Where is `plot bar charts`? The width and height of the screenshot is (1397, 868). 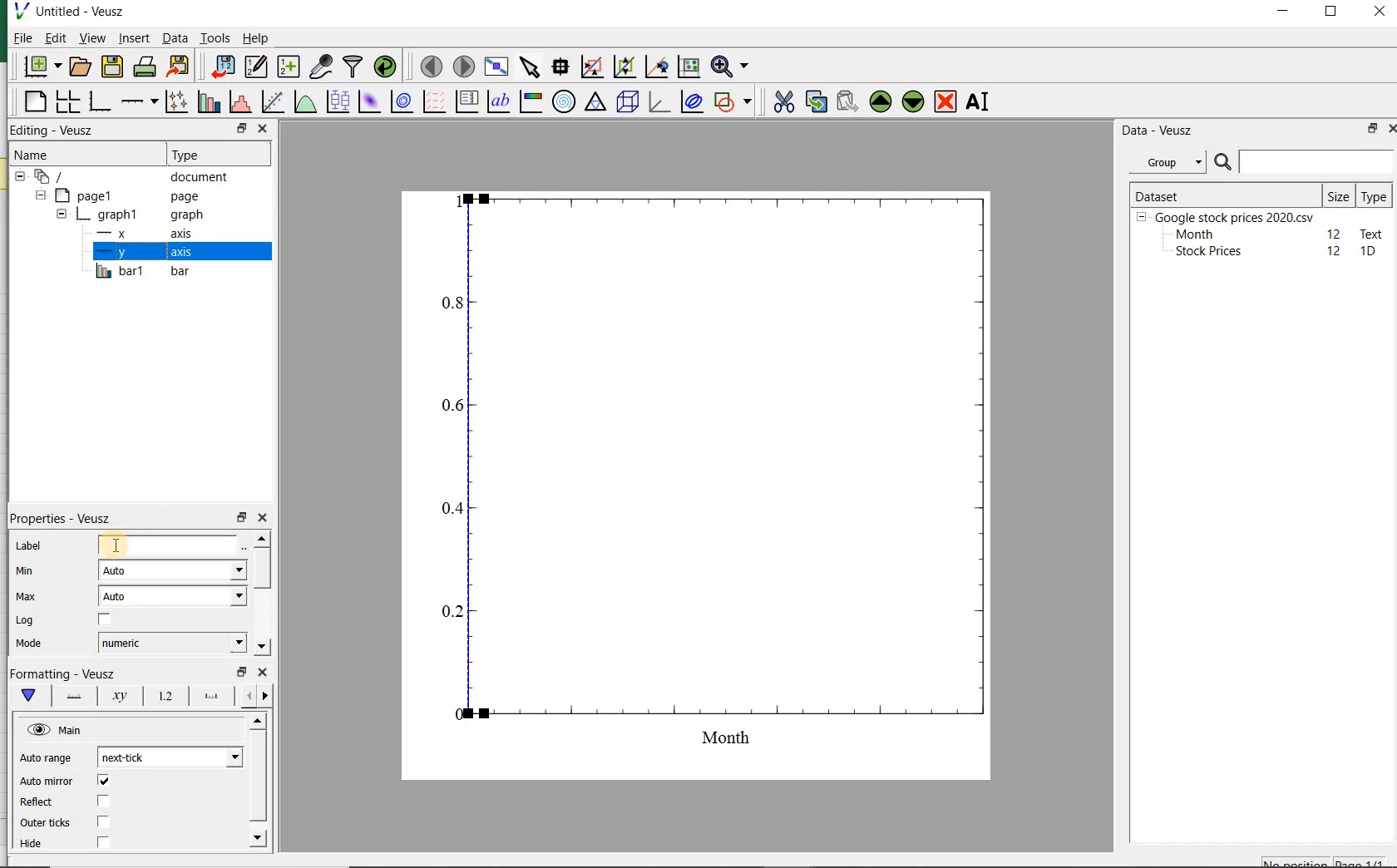
plot bar charts is located at coordinates (206, 103).